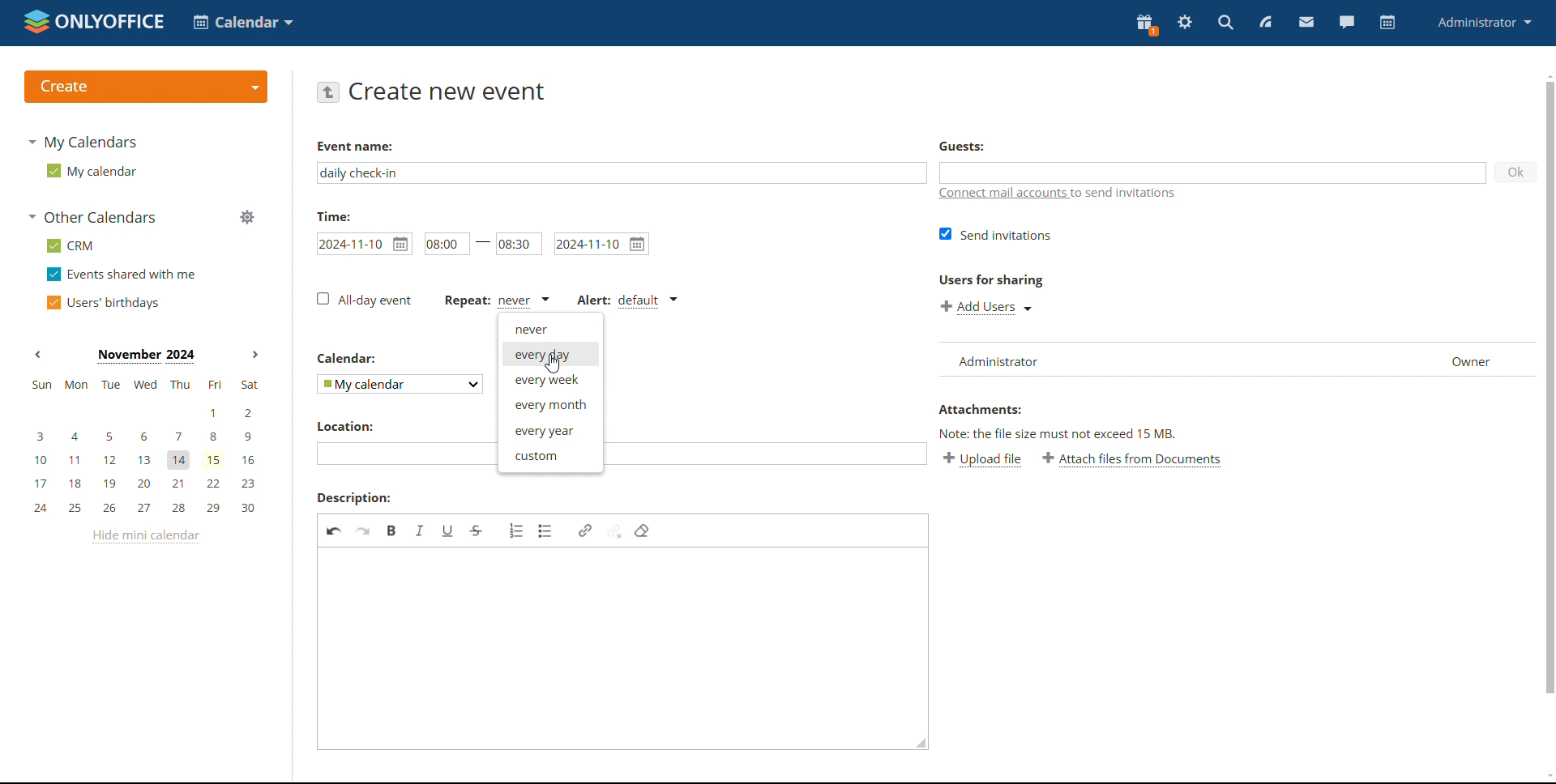  What do you see at coordinates (392, 530) in the screenshot?
I see `bold` at bounding box center [392, 530].